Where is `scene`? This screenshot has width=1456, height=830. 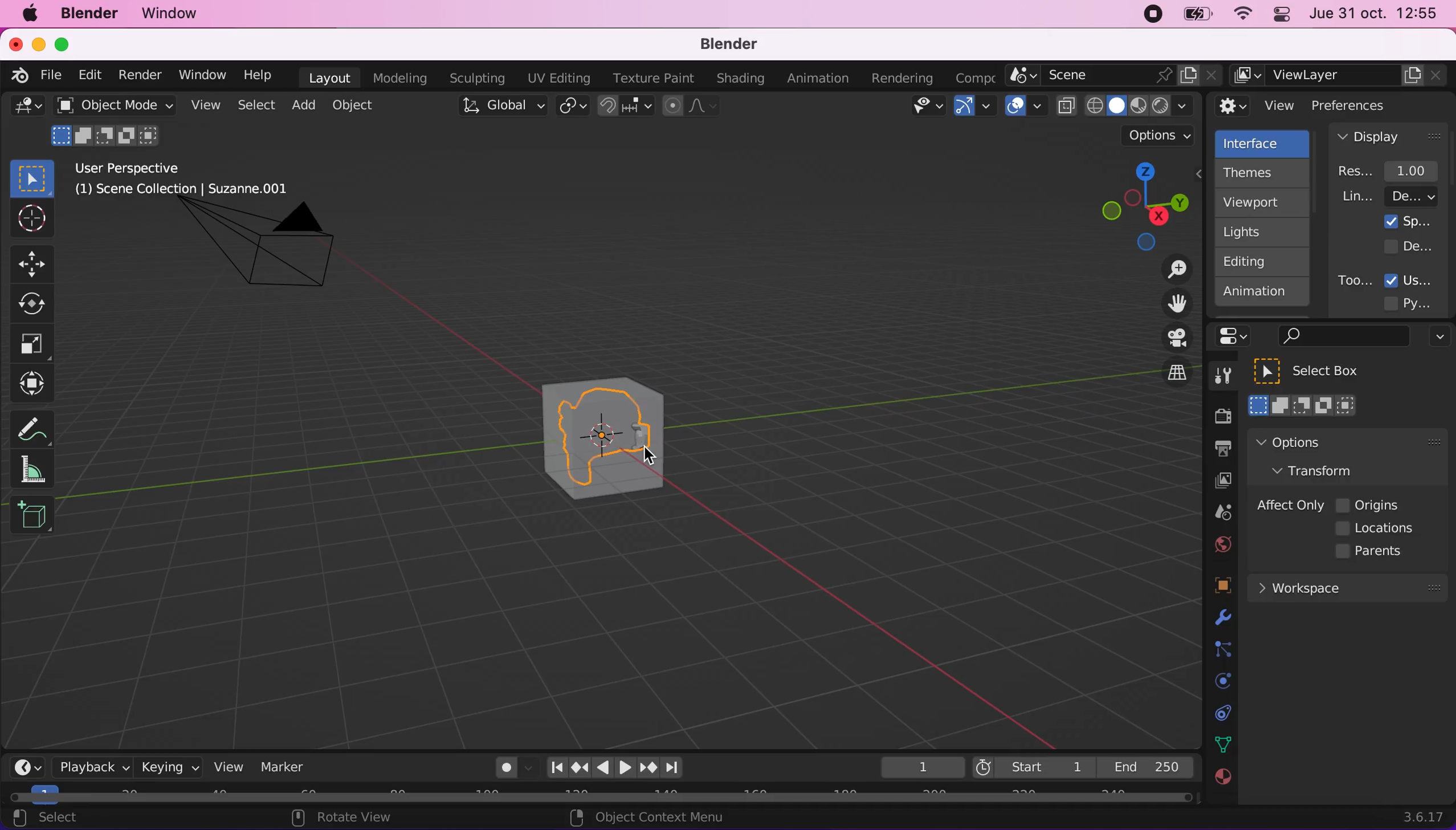
scene is located at coordinates (1218, 513).